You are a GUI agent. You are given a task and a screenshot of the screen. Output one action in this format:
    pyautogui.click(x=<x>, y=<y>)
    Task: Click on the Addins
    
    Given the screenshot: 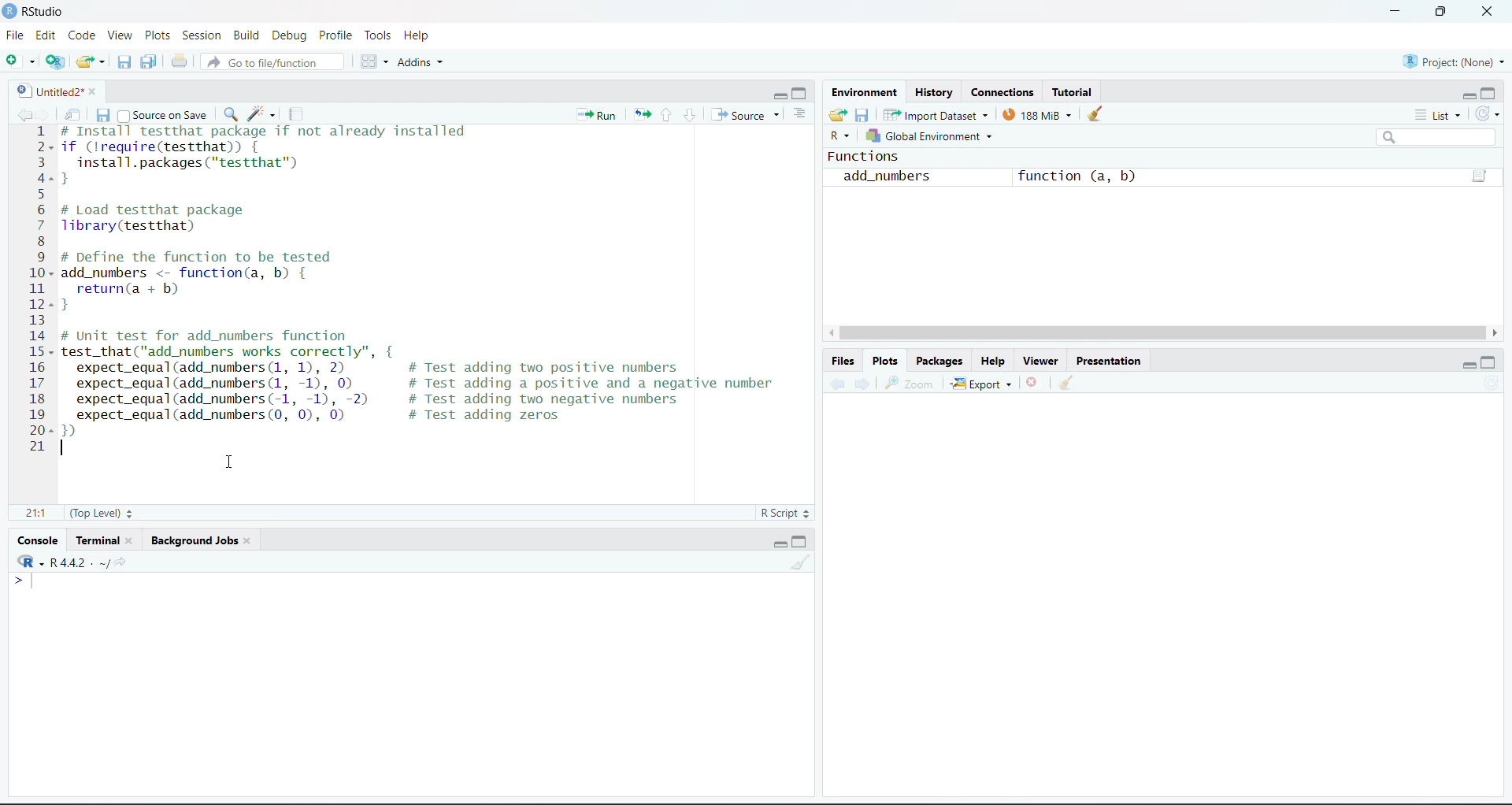 What is the action you would take?
    pyautogui.click(x=422, y=63)
    